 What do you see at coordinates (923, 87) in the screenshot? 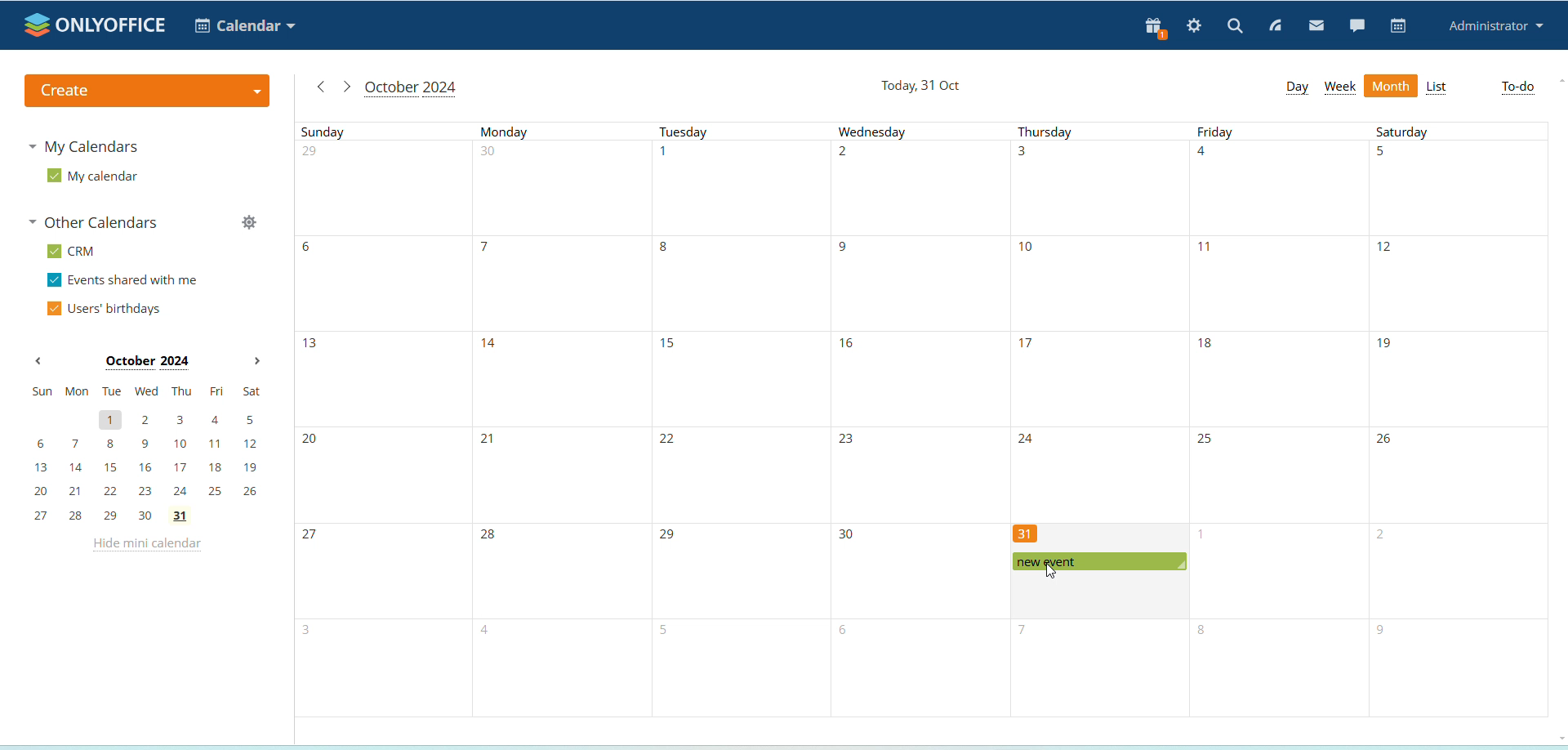
I see `current date` at bounding box center [923, 87].